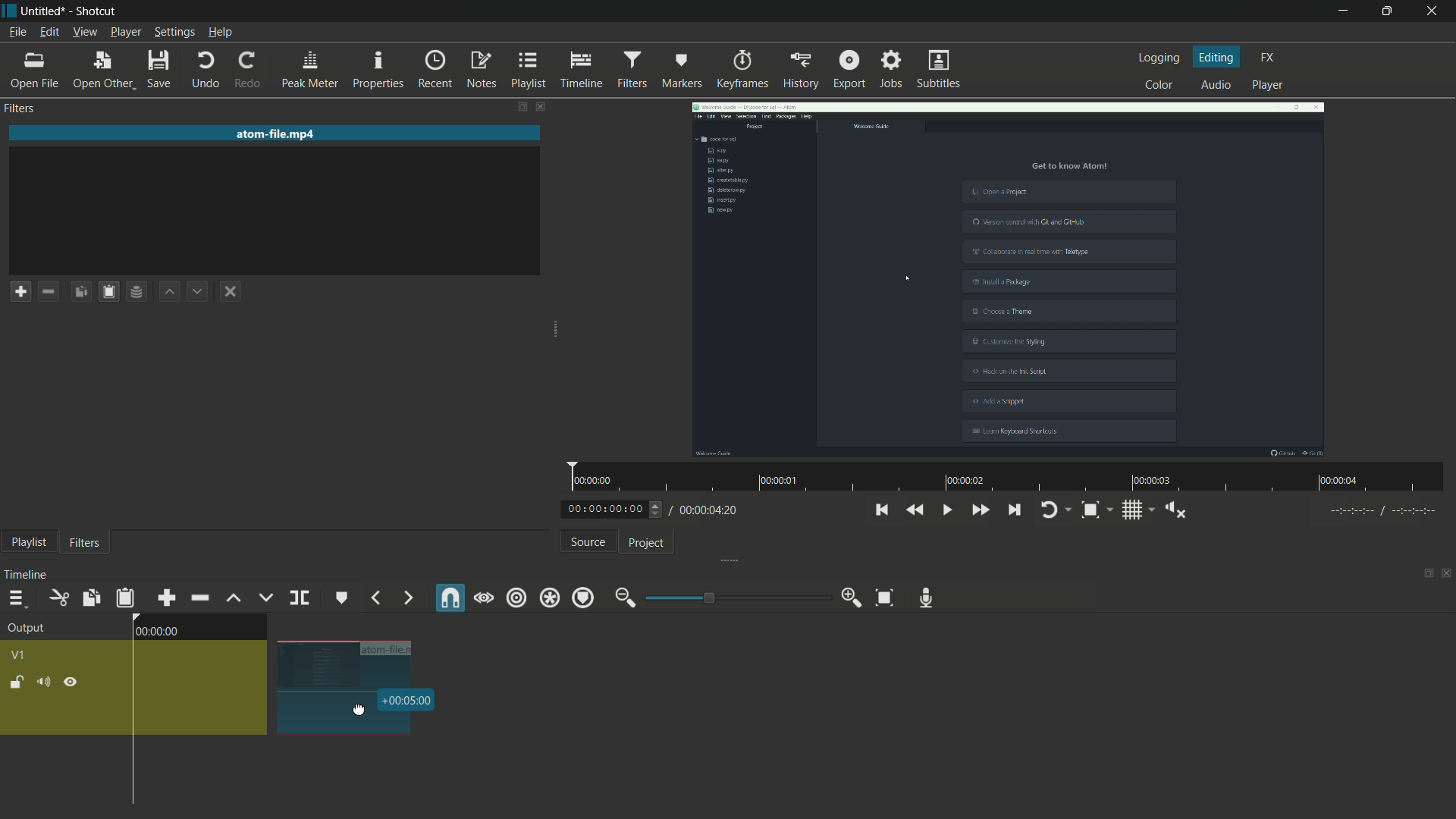 The height and width of the screenshot is (819, 1456). I want to click on toggle player looping, so click(1053, 510).